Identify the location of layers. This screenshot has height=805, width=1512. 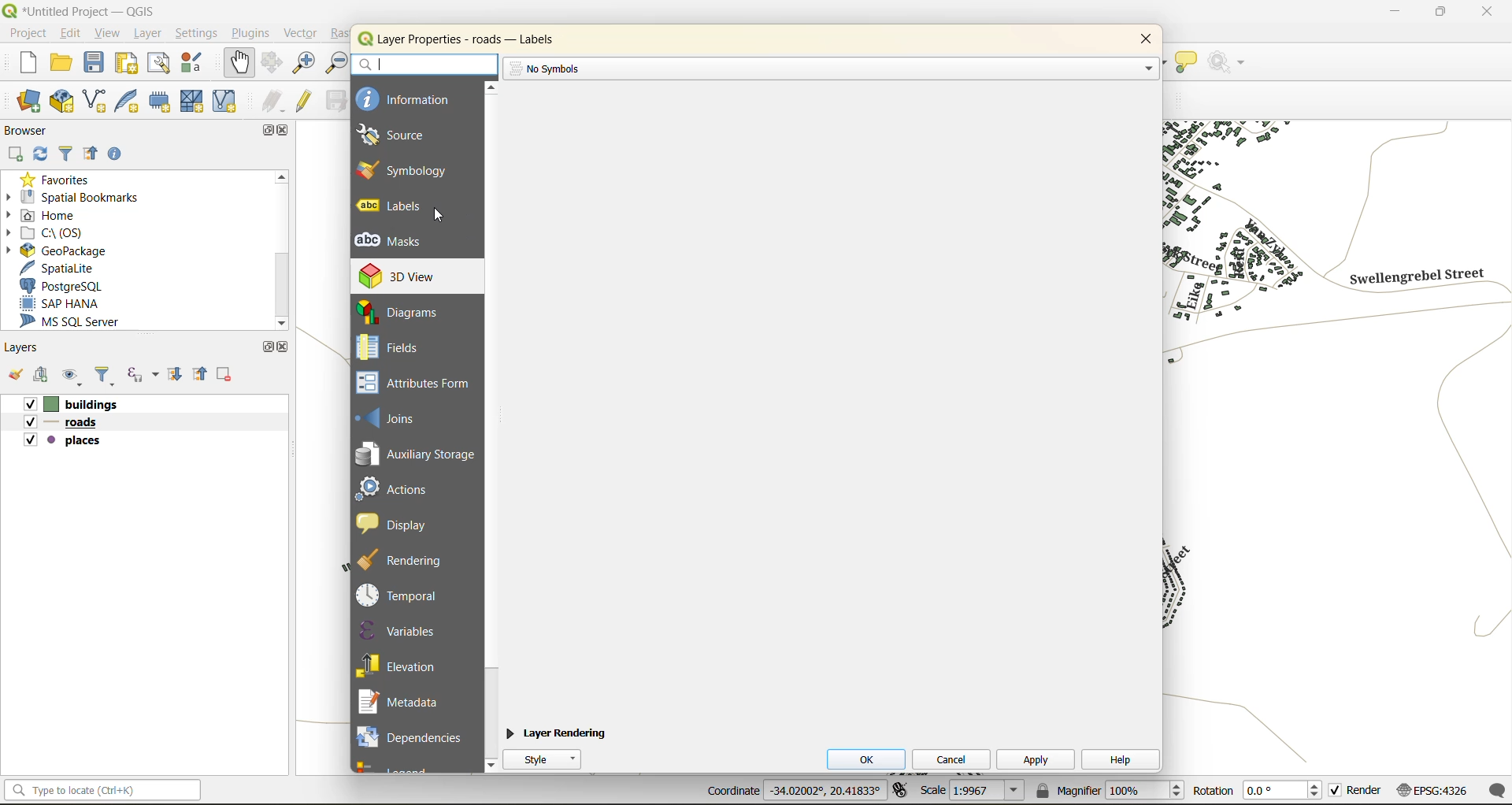
(28, 350).